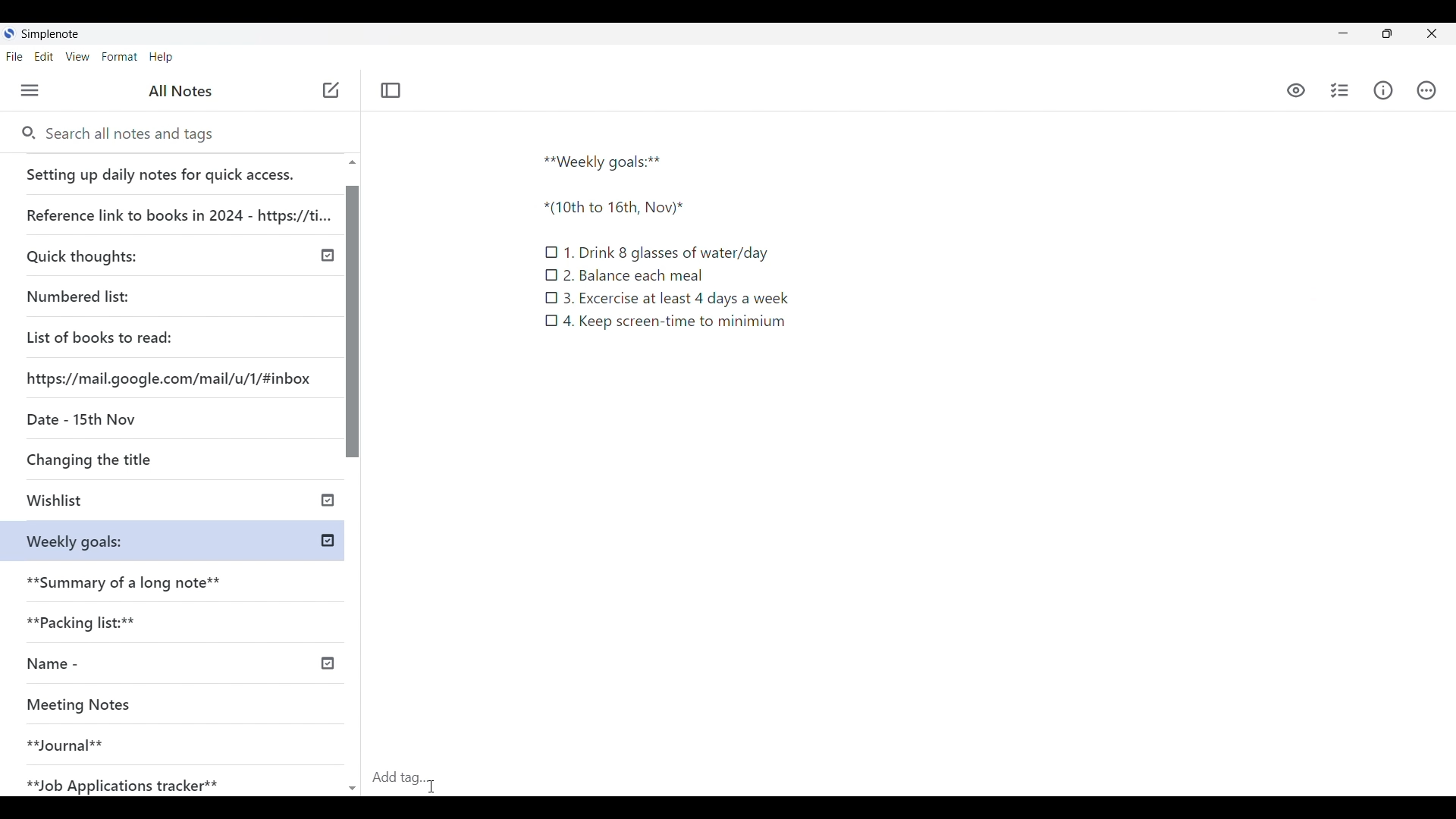  I want to click on published, so click(328, 256).